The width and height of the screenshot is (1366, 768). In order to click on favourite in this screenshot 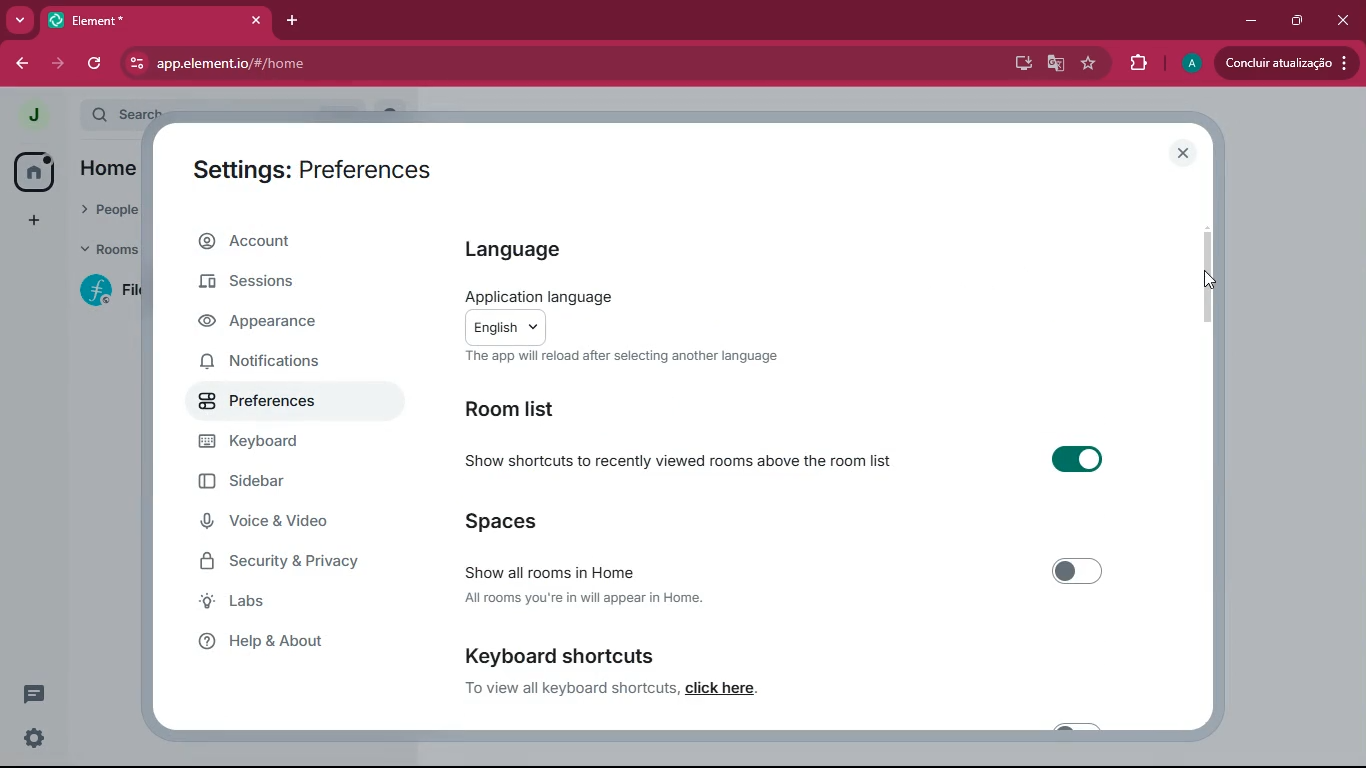, I will do `click(1091, 67)`.